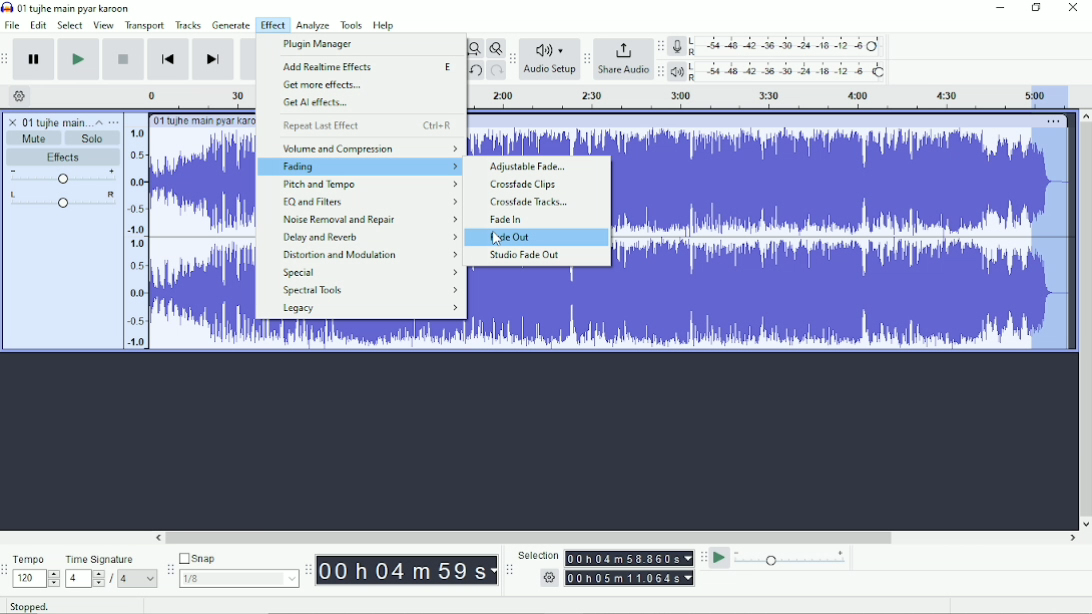  I want to click on Horizontal scrollbar, so click(616, 538).